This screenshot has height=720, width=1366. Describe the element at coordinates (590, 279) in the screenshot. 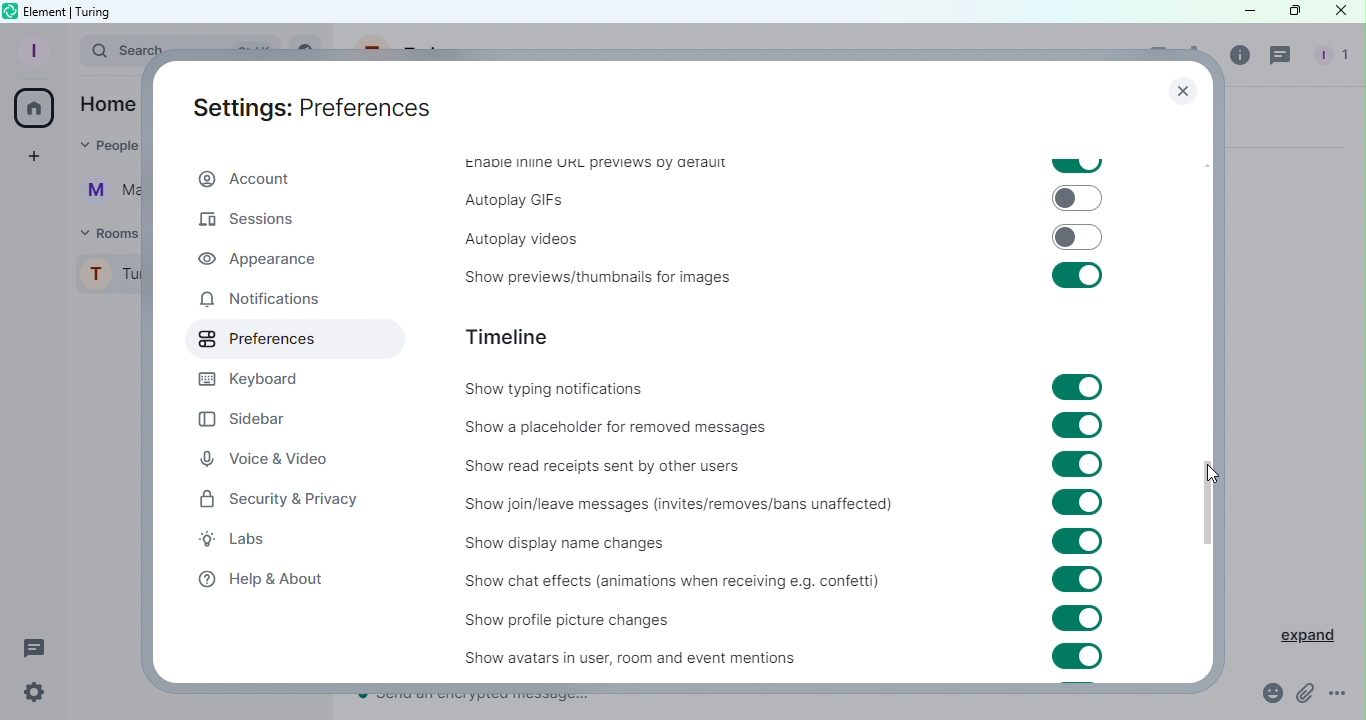

I see `Show preview/thumbnails for images` at that location.